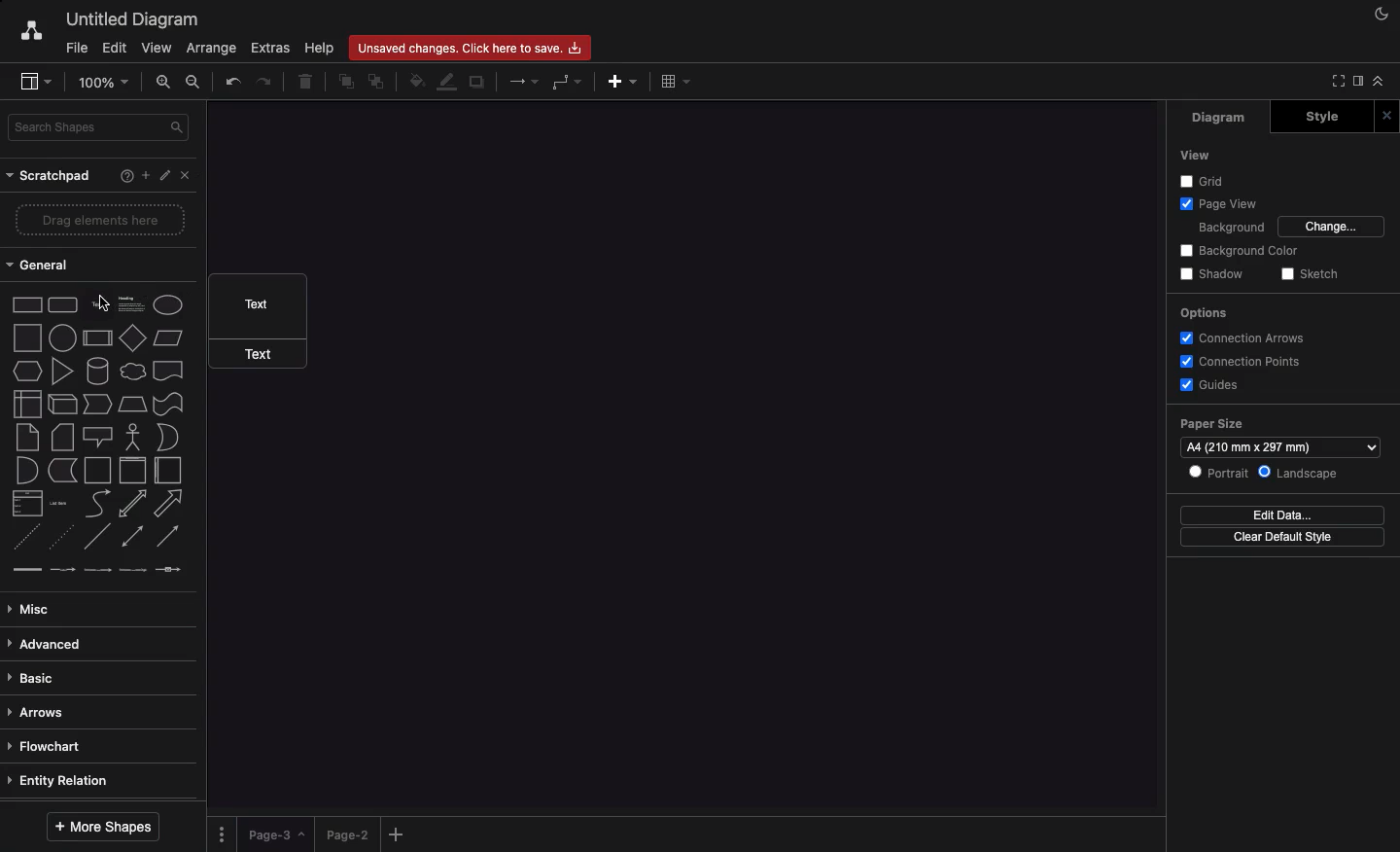 Image resolution: width=1400 pixels, height=852 pixels. I want to click on internal storage, so click(28, 404).